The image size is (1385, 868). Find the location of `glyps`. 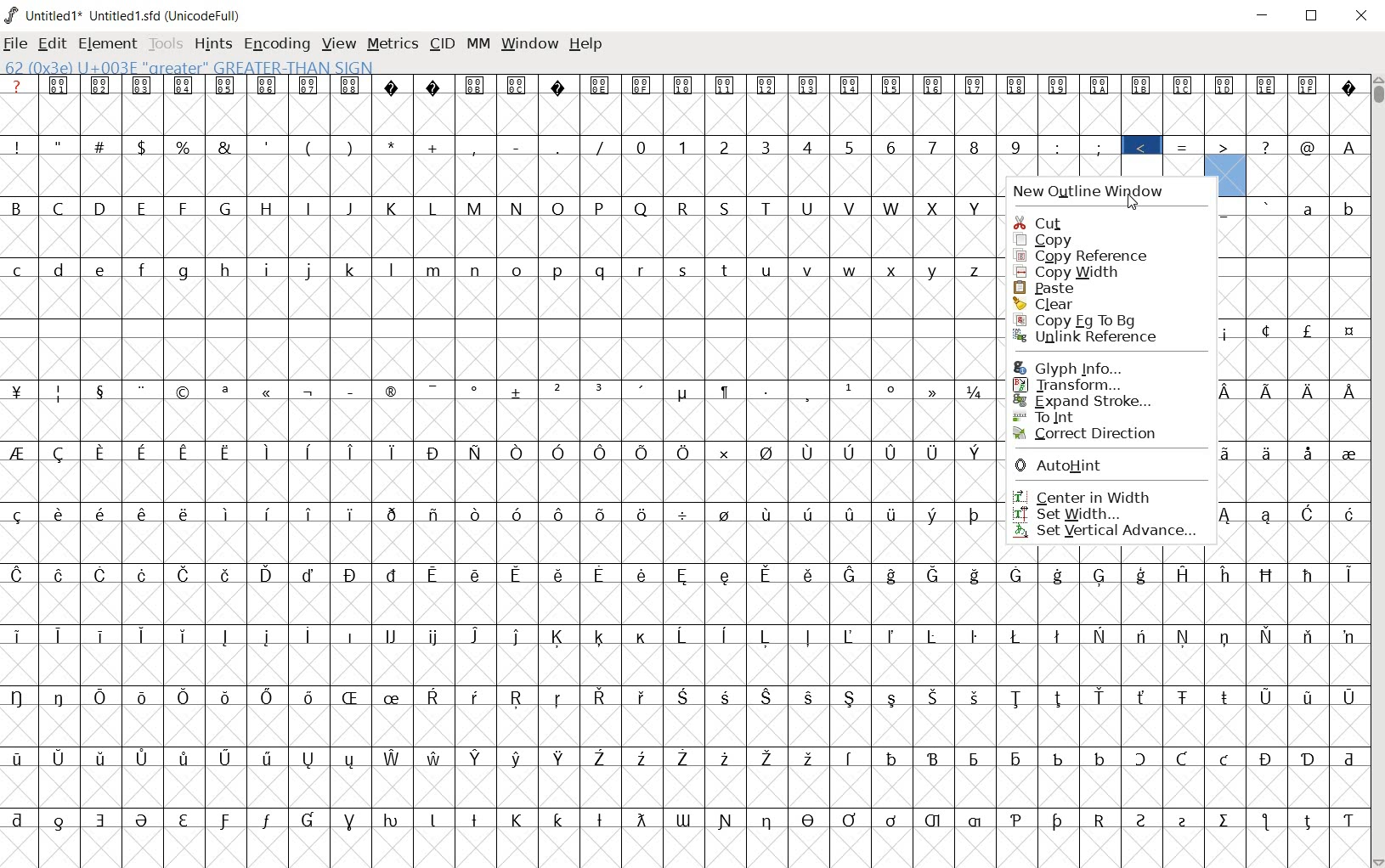

glyps is located at coordinates (1187, 127).